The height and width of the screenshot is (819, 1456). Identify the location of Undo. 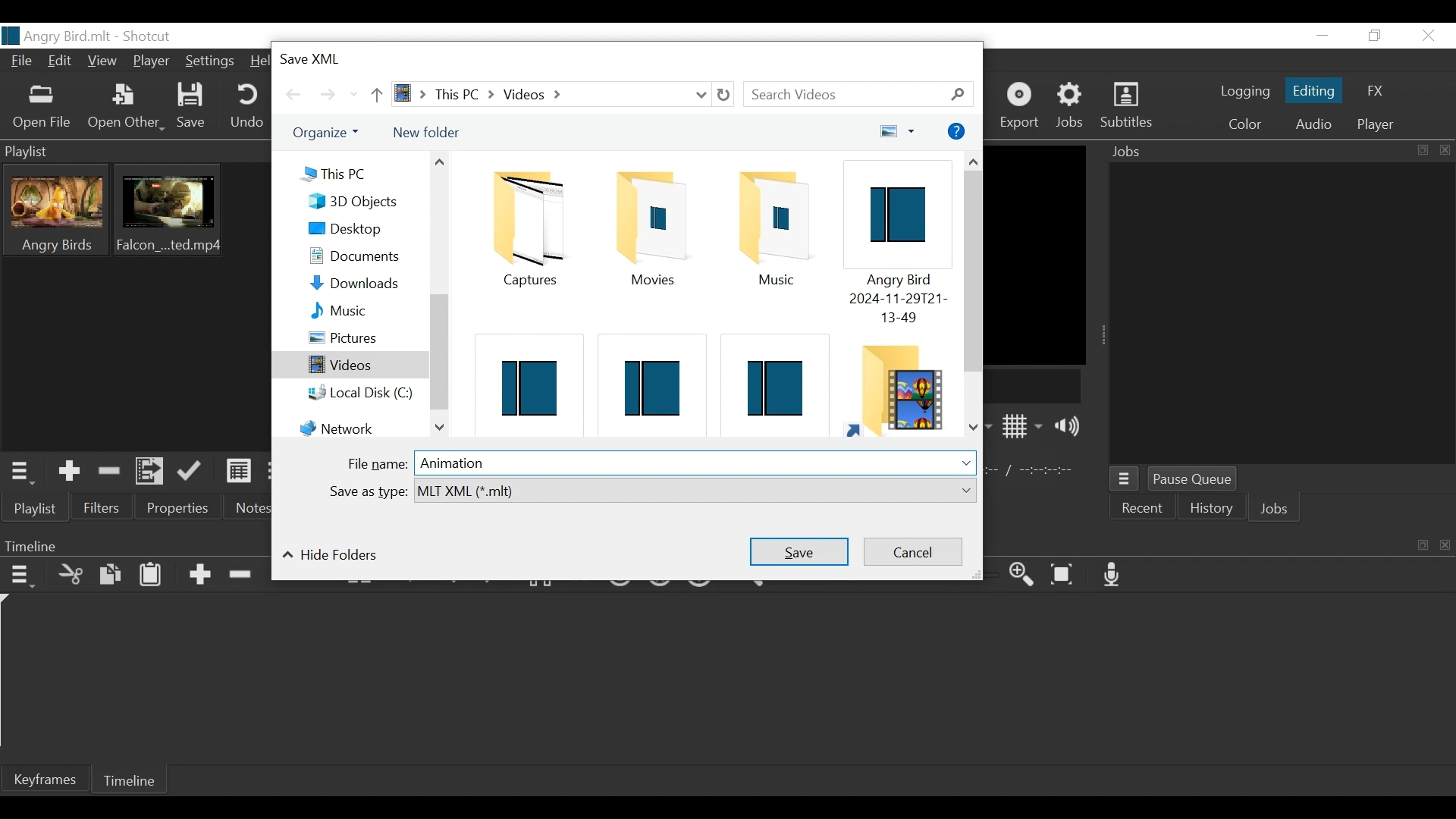
(245, 106).